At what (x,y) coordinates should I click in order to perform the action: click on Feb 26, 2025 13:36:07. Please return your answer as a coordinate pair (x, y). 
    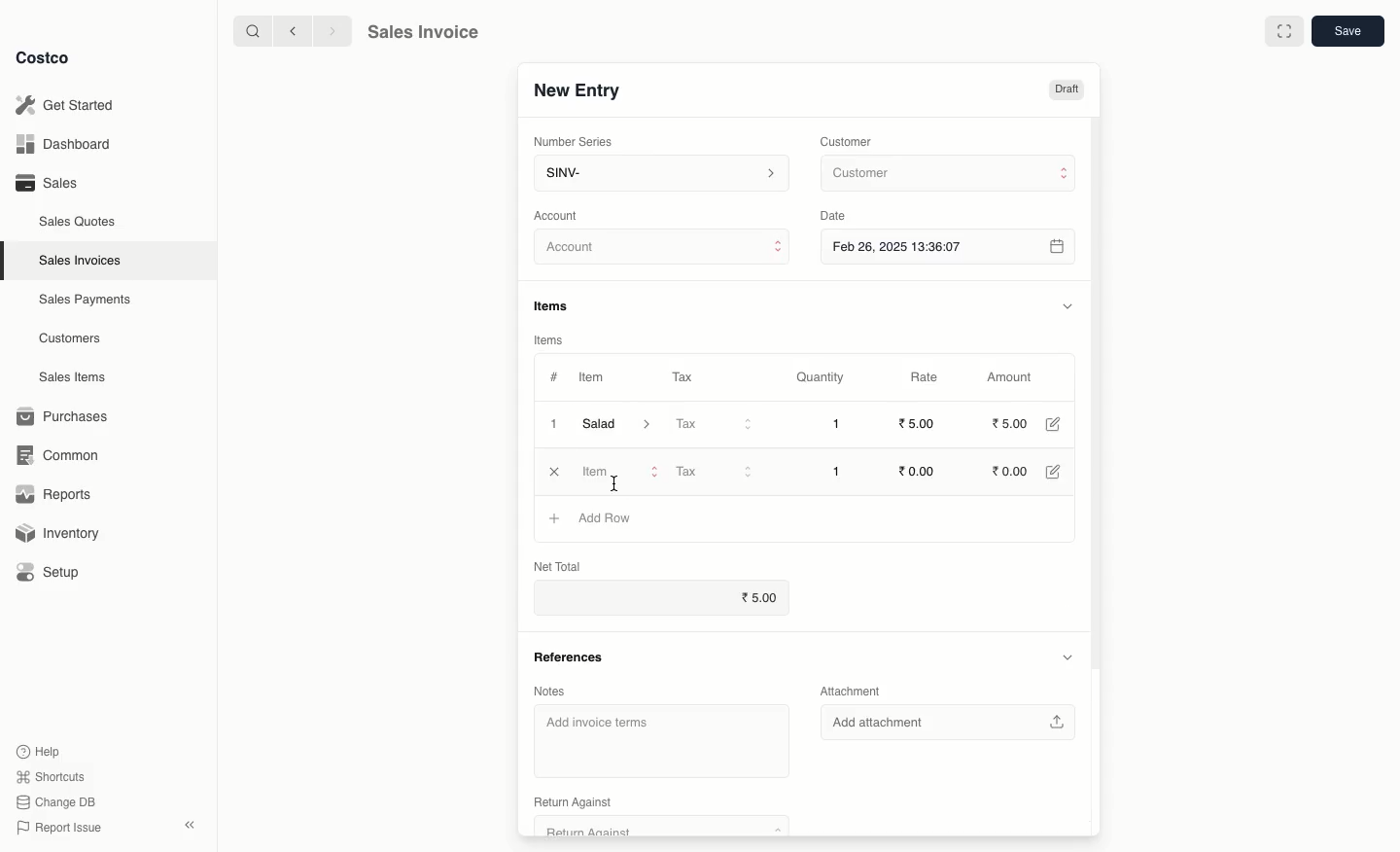
    Looking at the image, I should click on (950, 246).